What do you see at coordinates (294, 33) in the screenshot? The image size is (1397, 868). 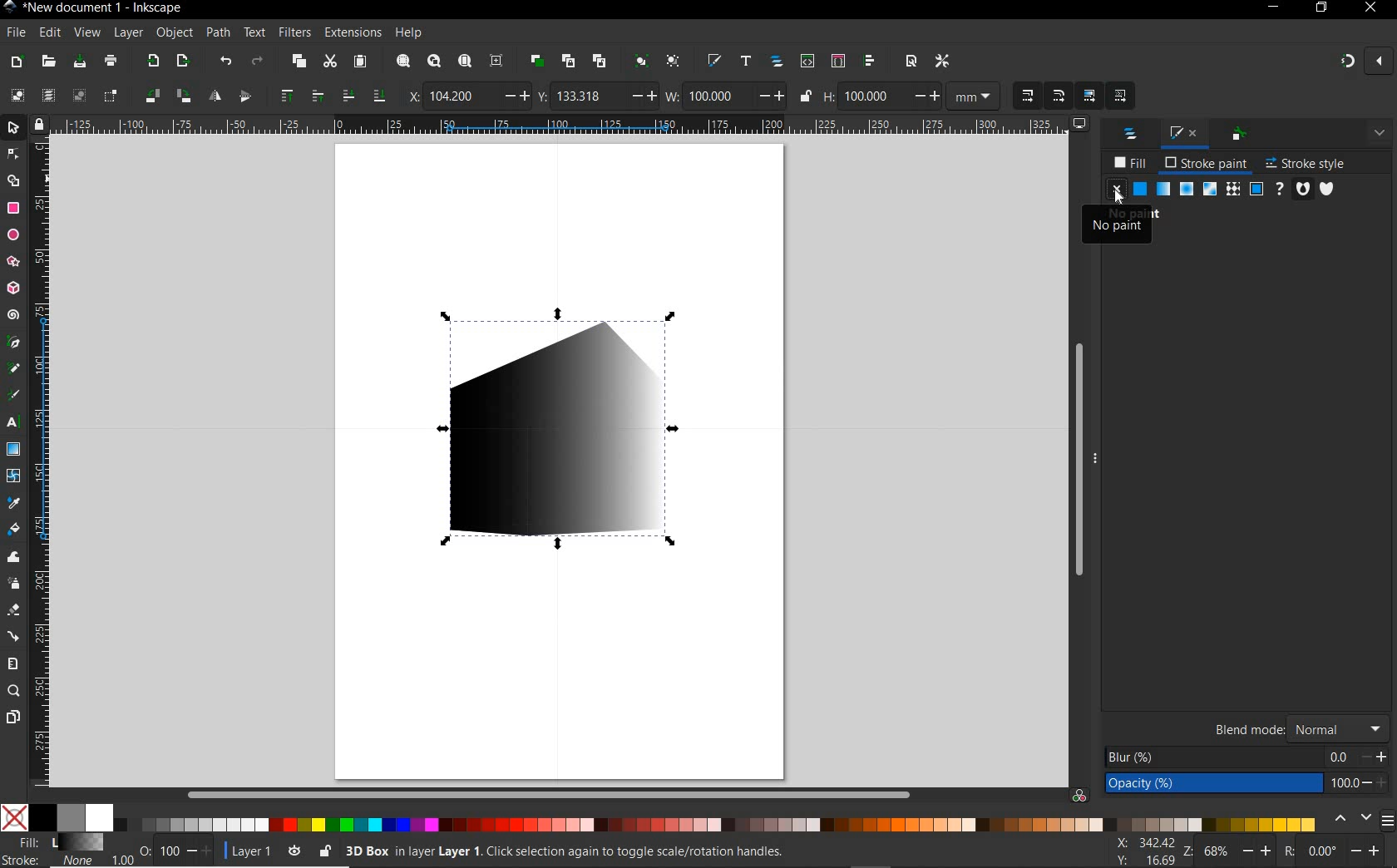 I see `FILTERS` at bounding box center [294, 33].